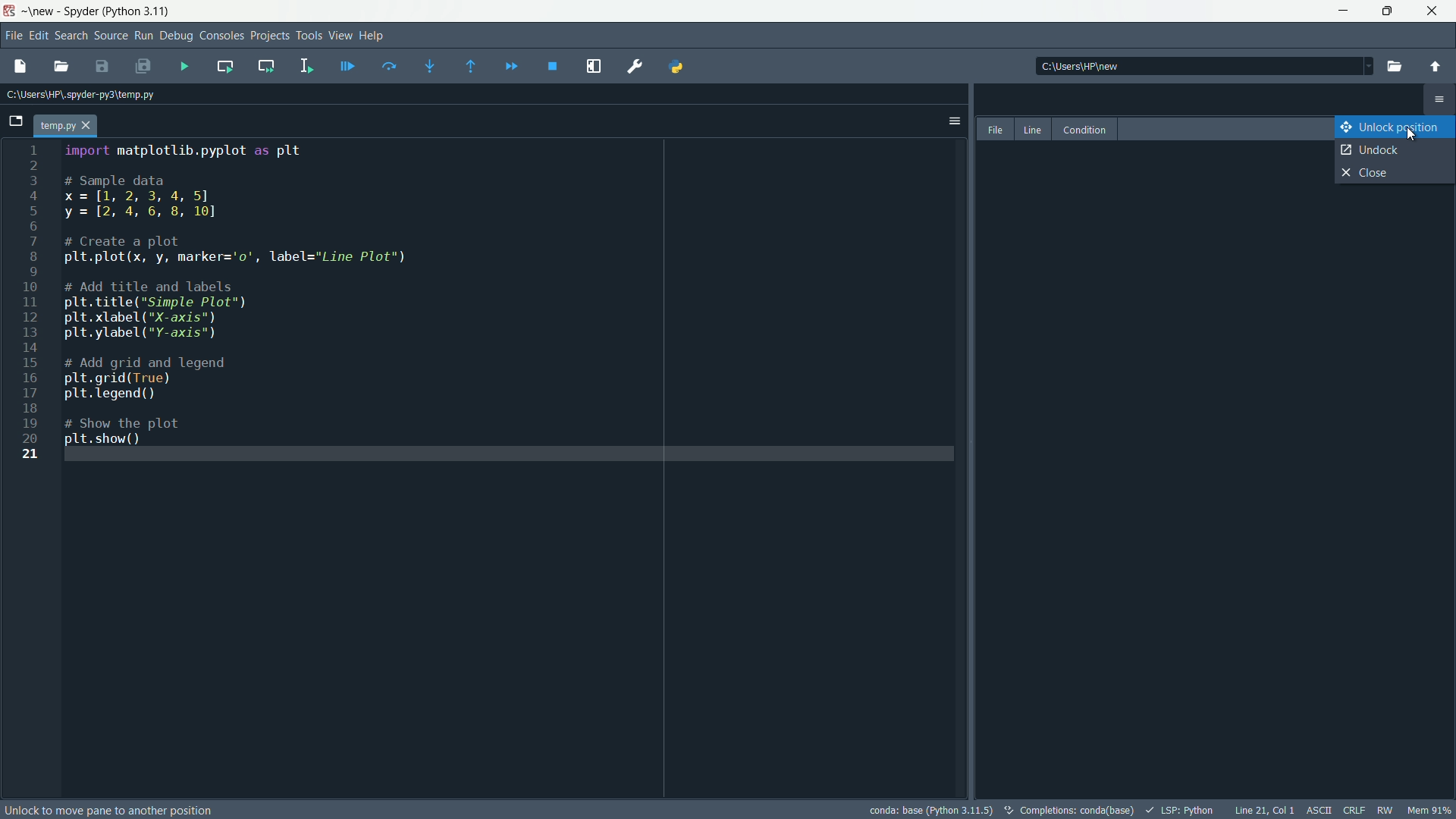 The image size is (1456, 819). What do you see at coordinates (348, 64) in the screenshot?
I see `debug file` at bounding box center [348, 64].